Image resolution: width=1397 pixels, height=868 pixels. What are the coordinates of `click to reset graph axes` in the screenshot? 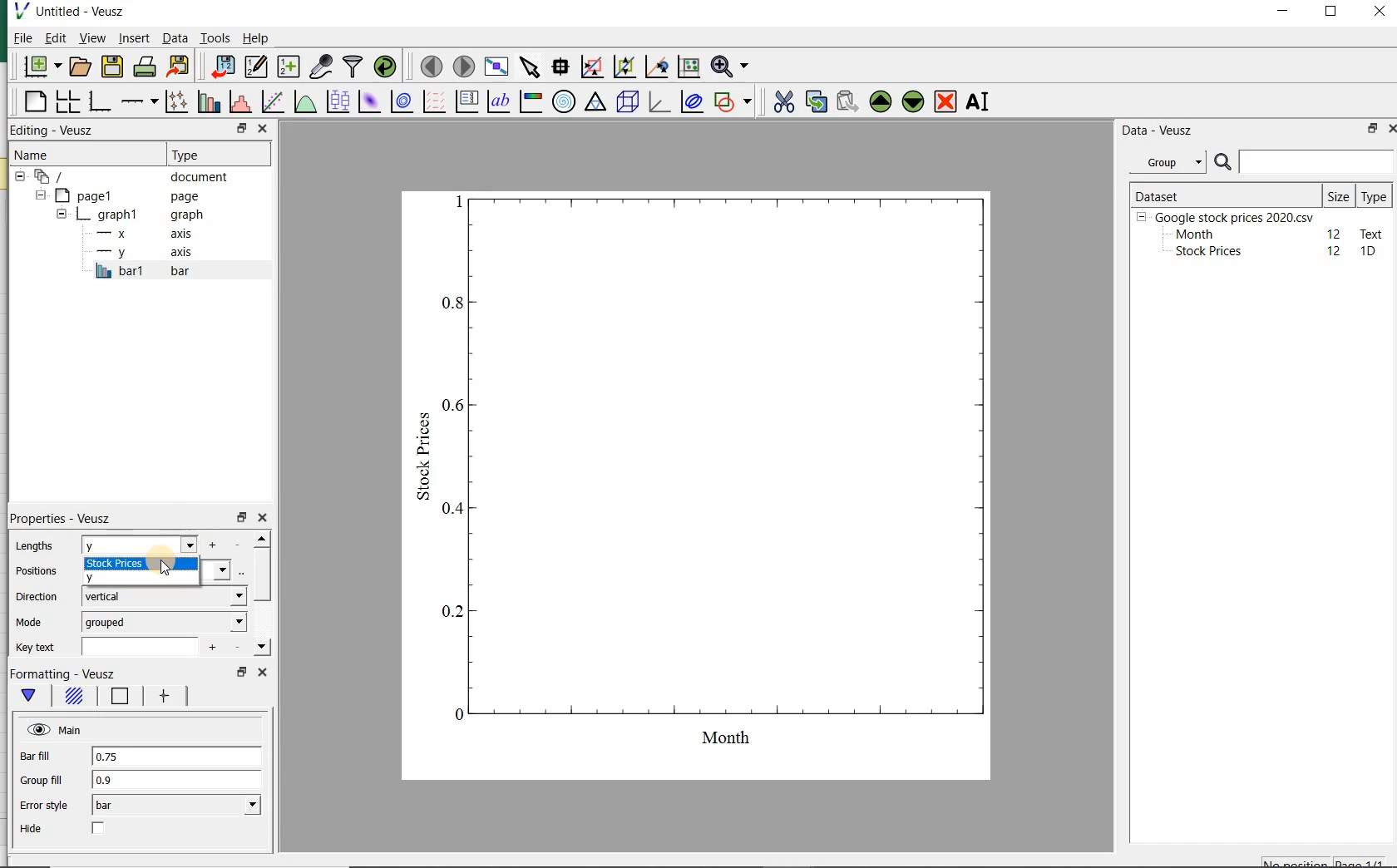 It's located at (687, 67).